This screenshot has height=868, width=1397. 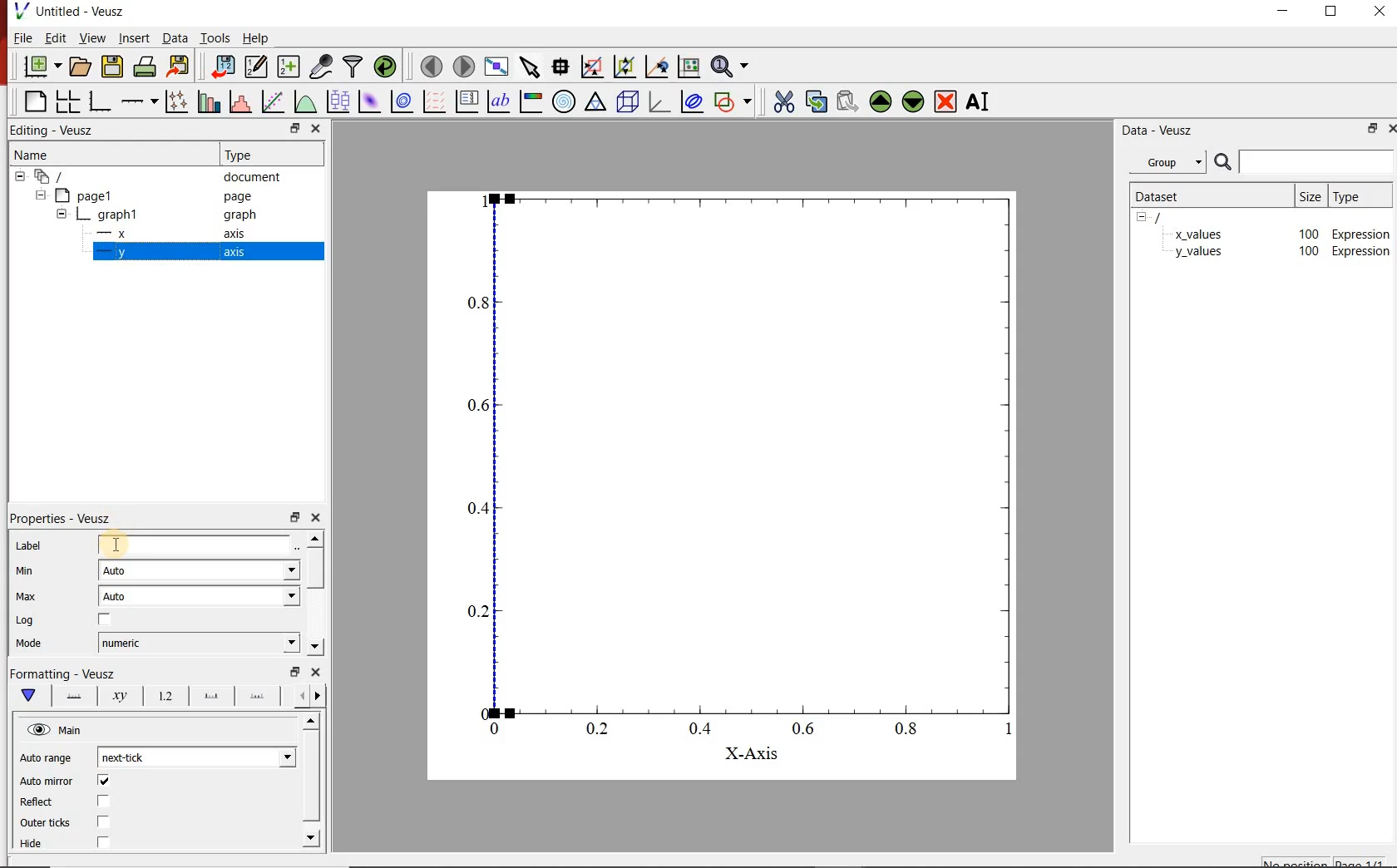 What do you see at coordinates (140, 101) in the screenshot?
I see `add axis on the plot` at bounding box center [140, 101].